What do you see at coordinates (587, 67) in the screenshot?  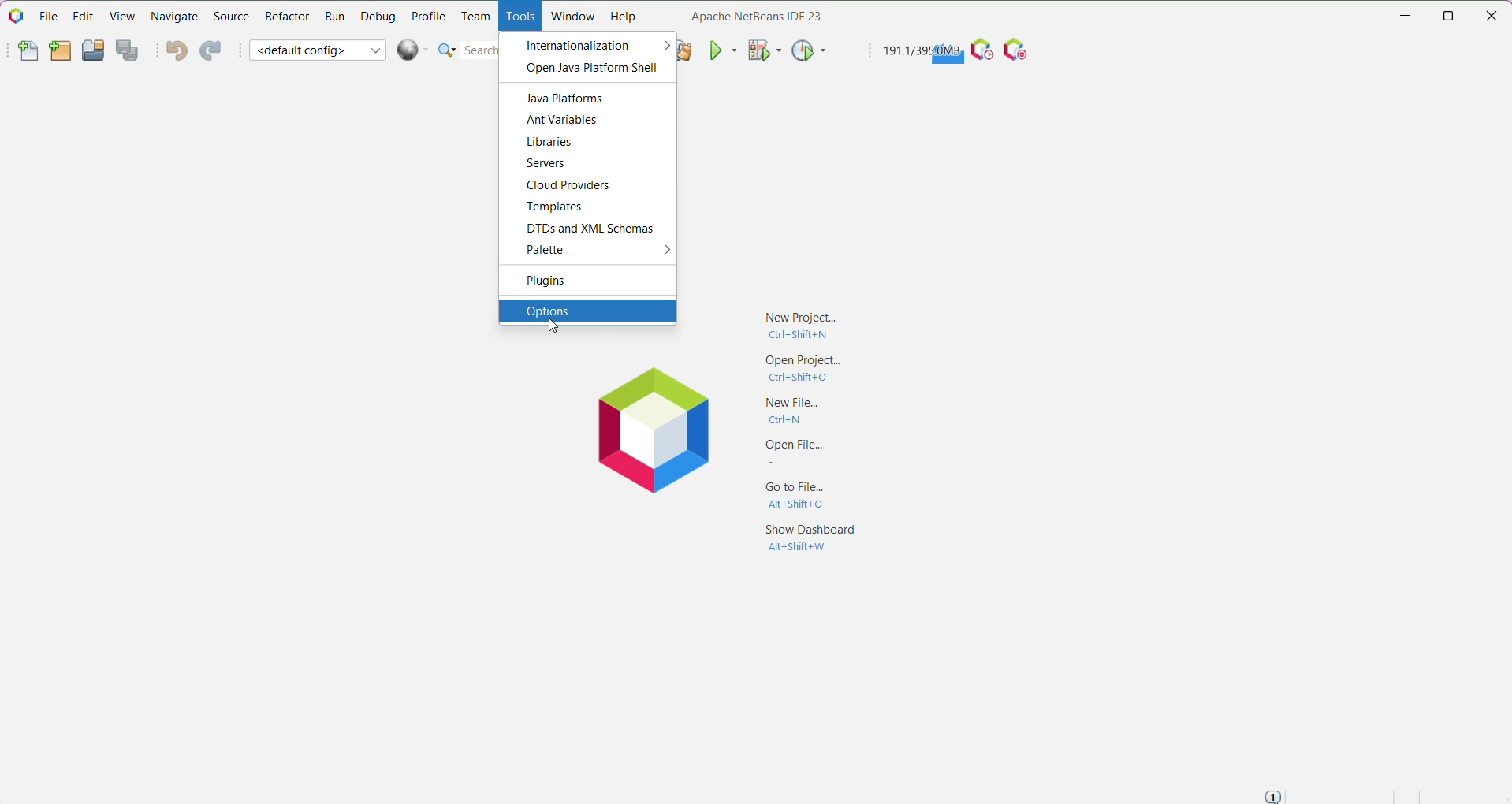 I see `Open Java Platform Shell` at bounding box center [587, 67].